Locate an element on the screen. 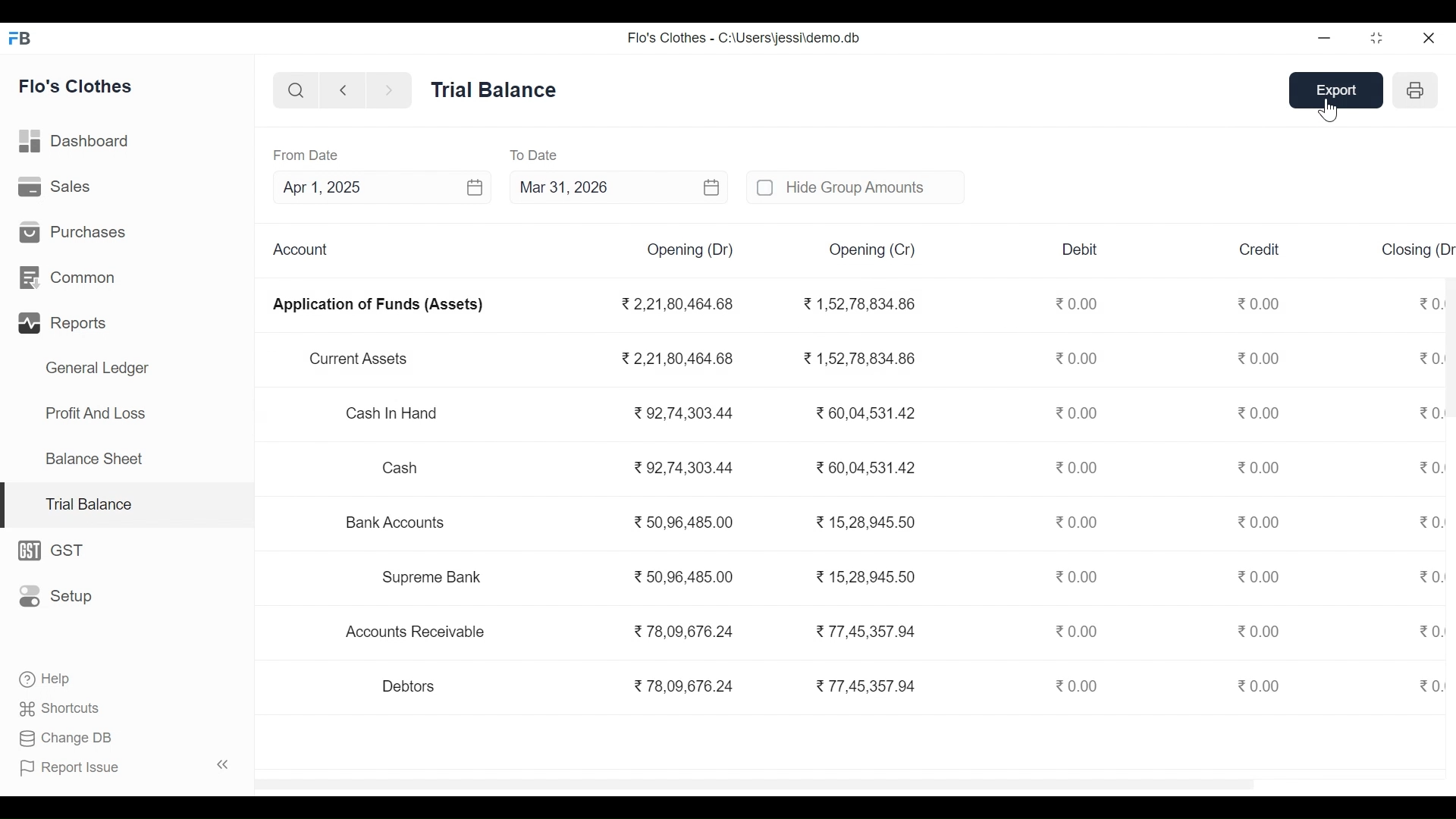 This screenshot has width=1456, height=819. 60,04,531.42 is located at coordinates (861, 411).